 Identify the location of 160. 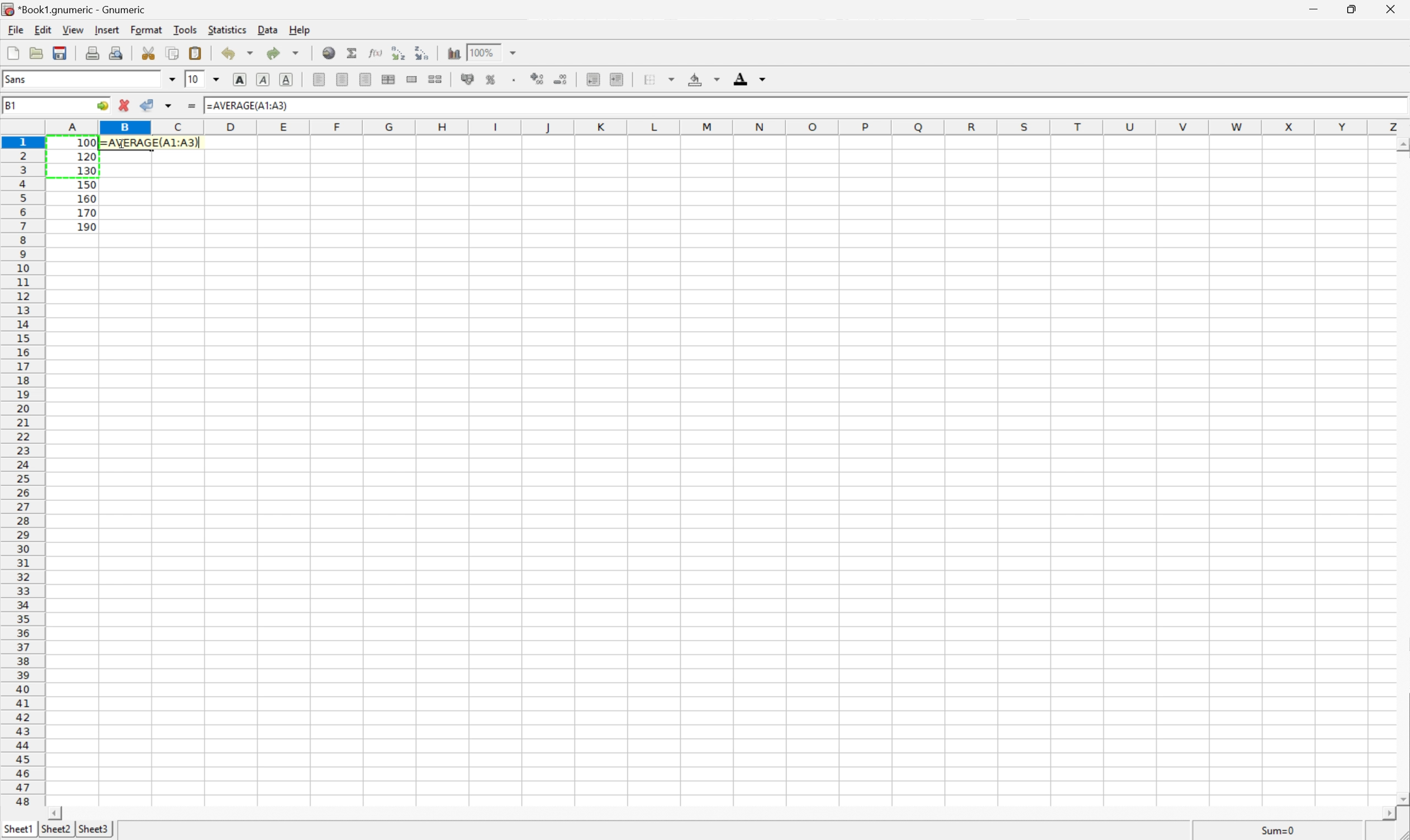
(87, 197).